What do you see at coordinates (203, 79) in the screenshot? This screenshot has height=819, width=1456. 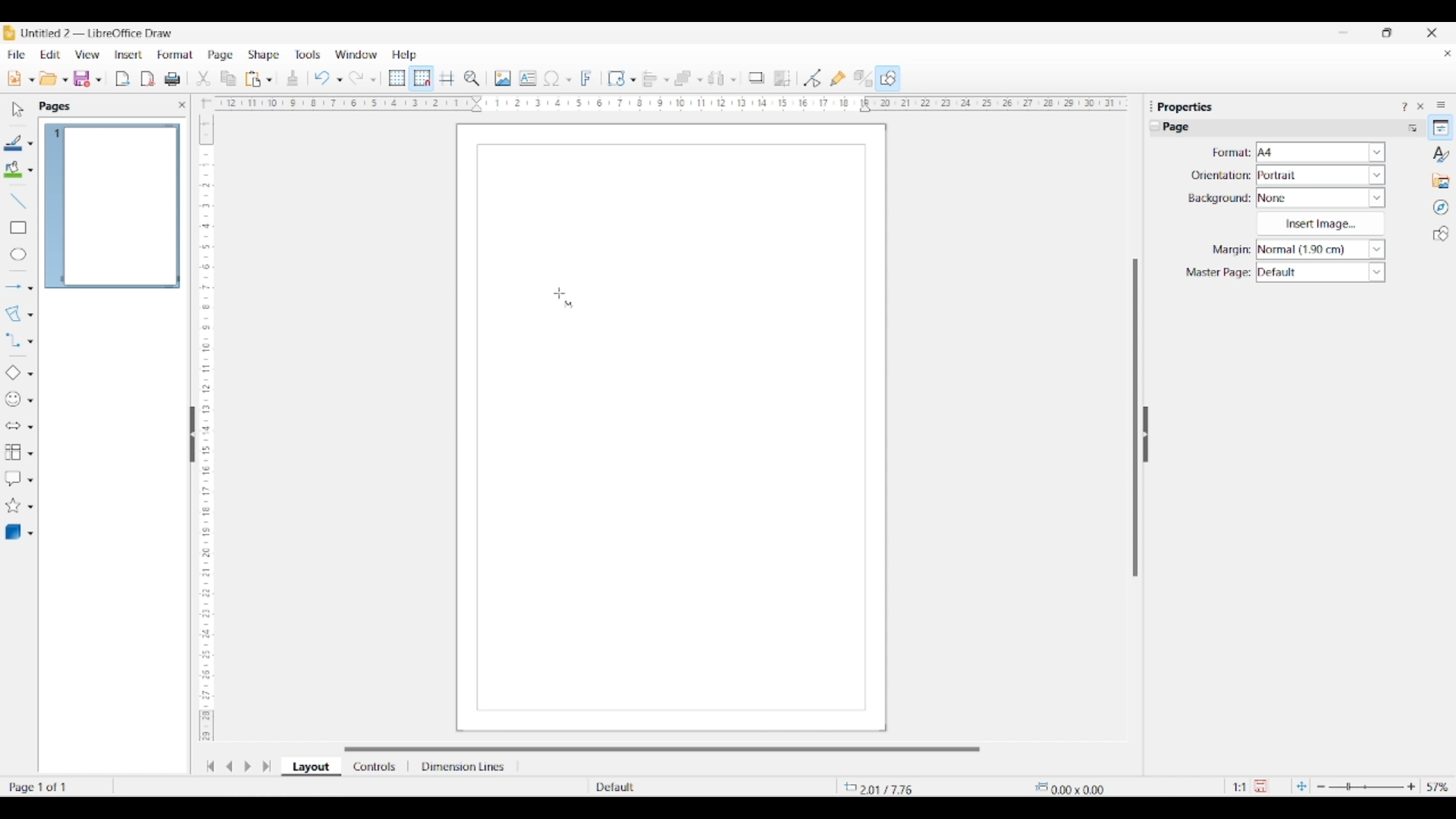 I see `Selected copy options` at bounding box center [203, 79].